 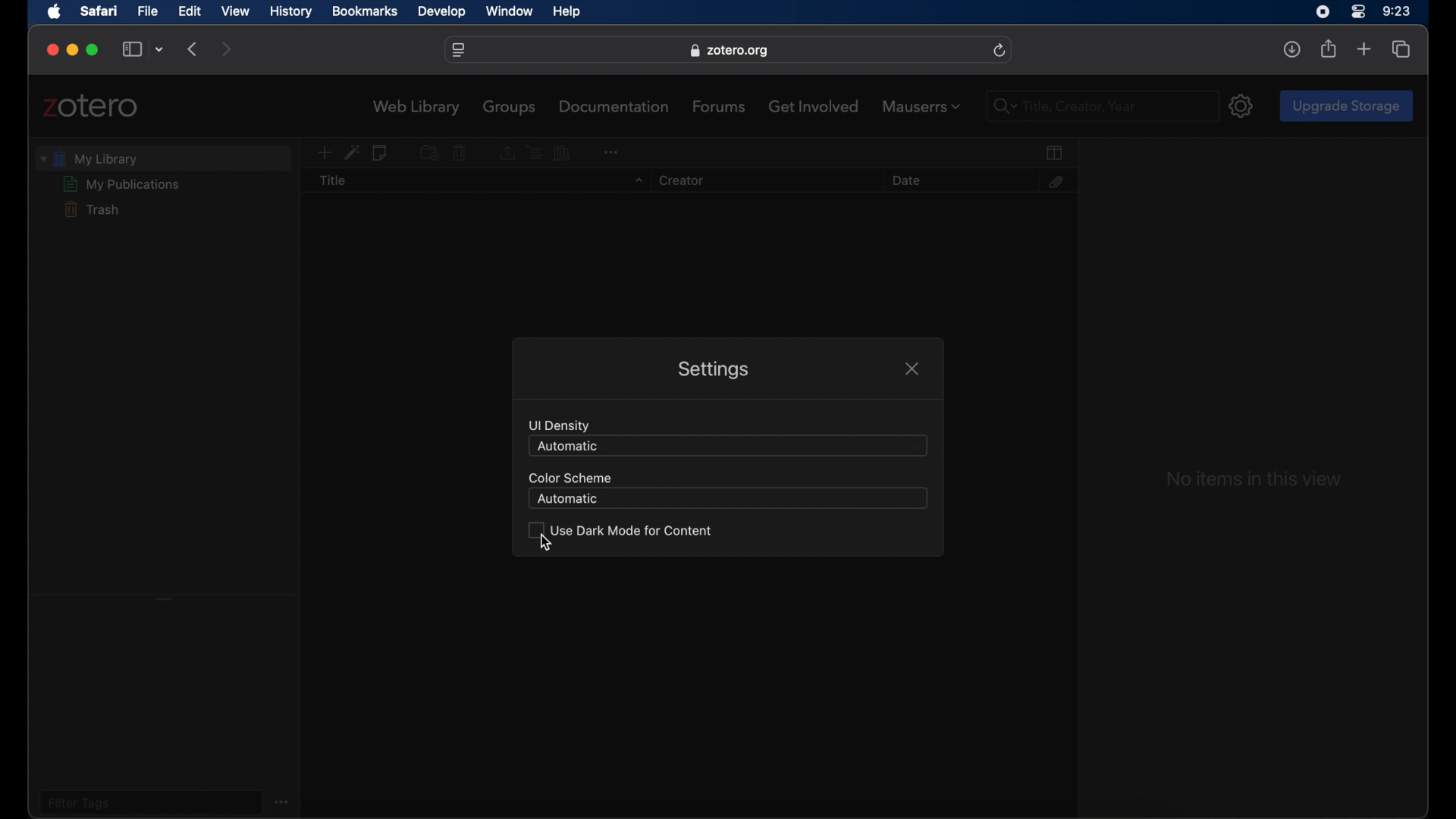 What do you see at coordinates (729, 51) in the screenshot?
I see `website address` at bounding box center [729, 51].